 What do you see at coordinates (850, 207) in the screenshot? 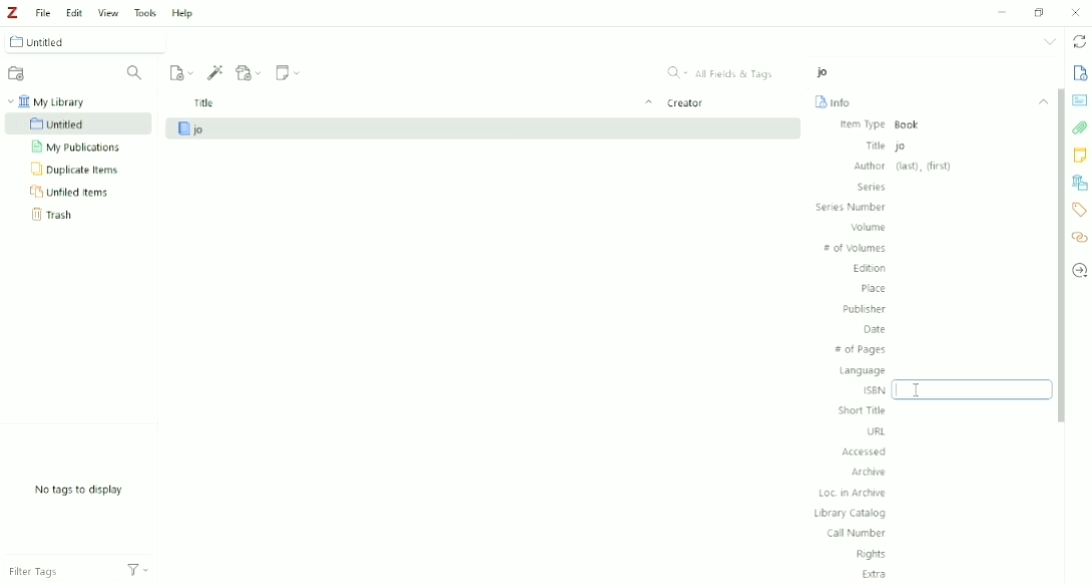
I see `Series Number` at bounding box center [850, 207].